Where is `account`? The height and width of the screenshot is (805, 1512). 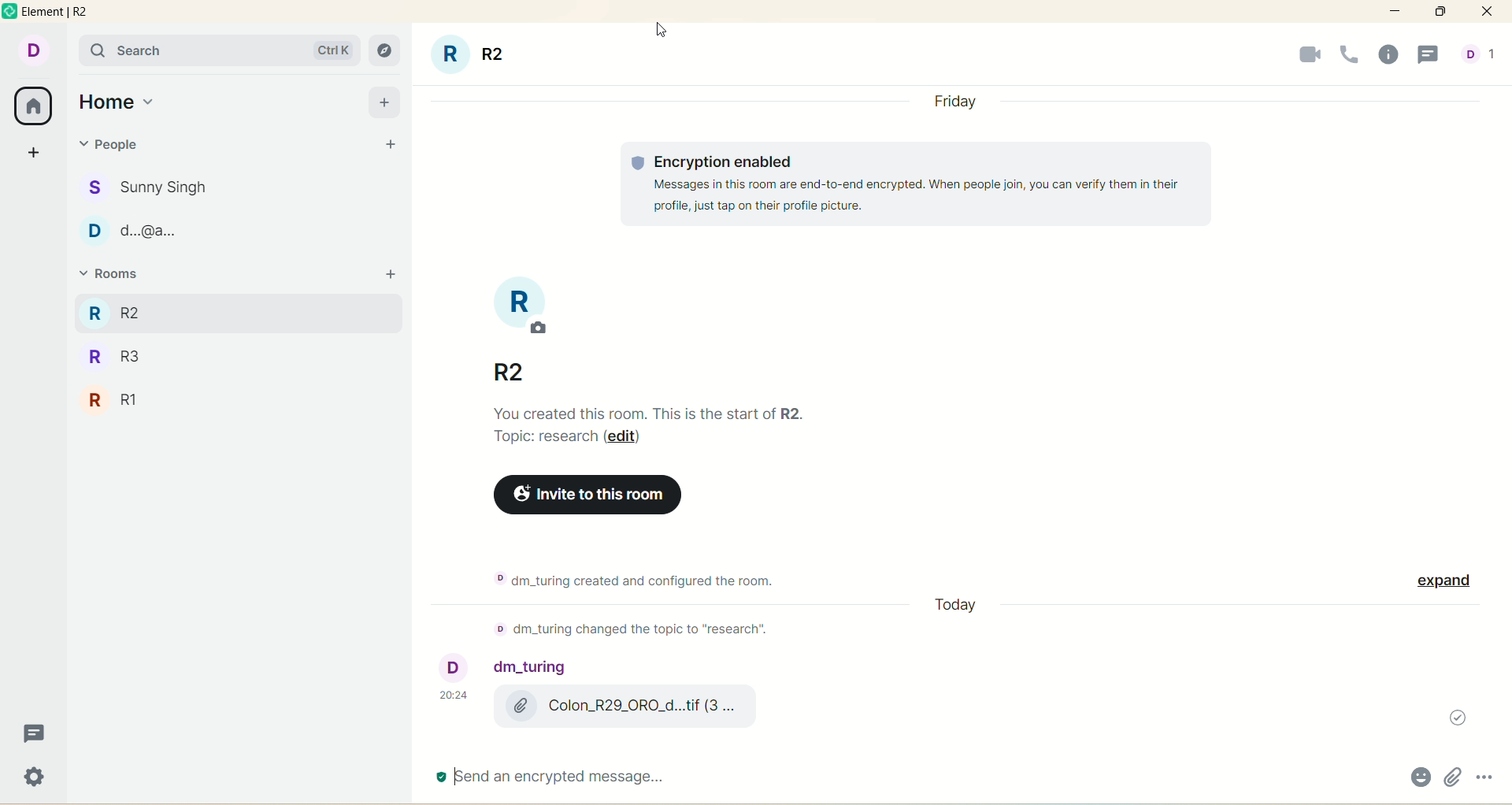
account is located at coordinates (31, 49).